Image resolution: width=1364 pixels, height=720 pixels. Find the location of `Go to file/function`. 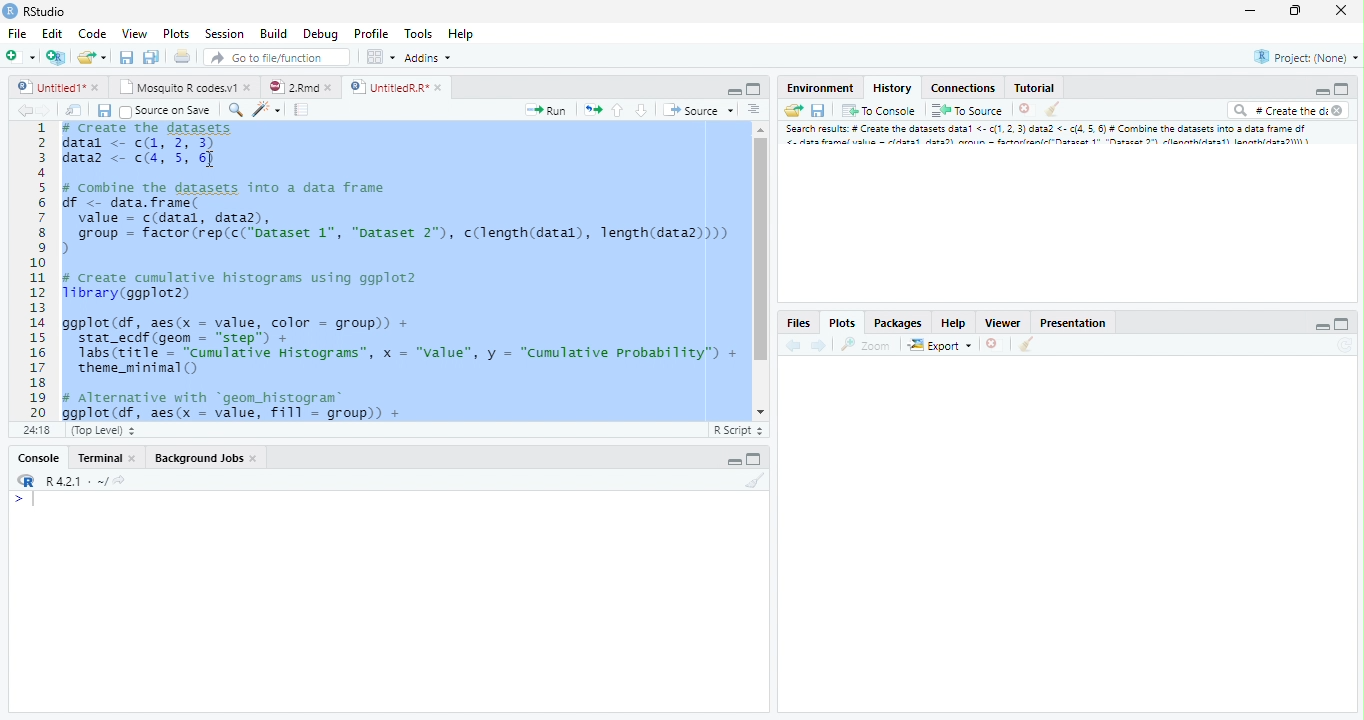

Go to file/function is located at coordinates (275, 58).